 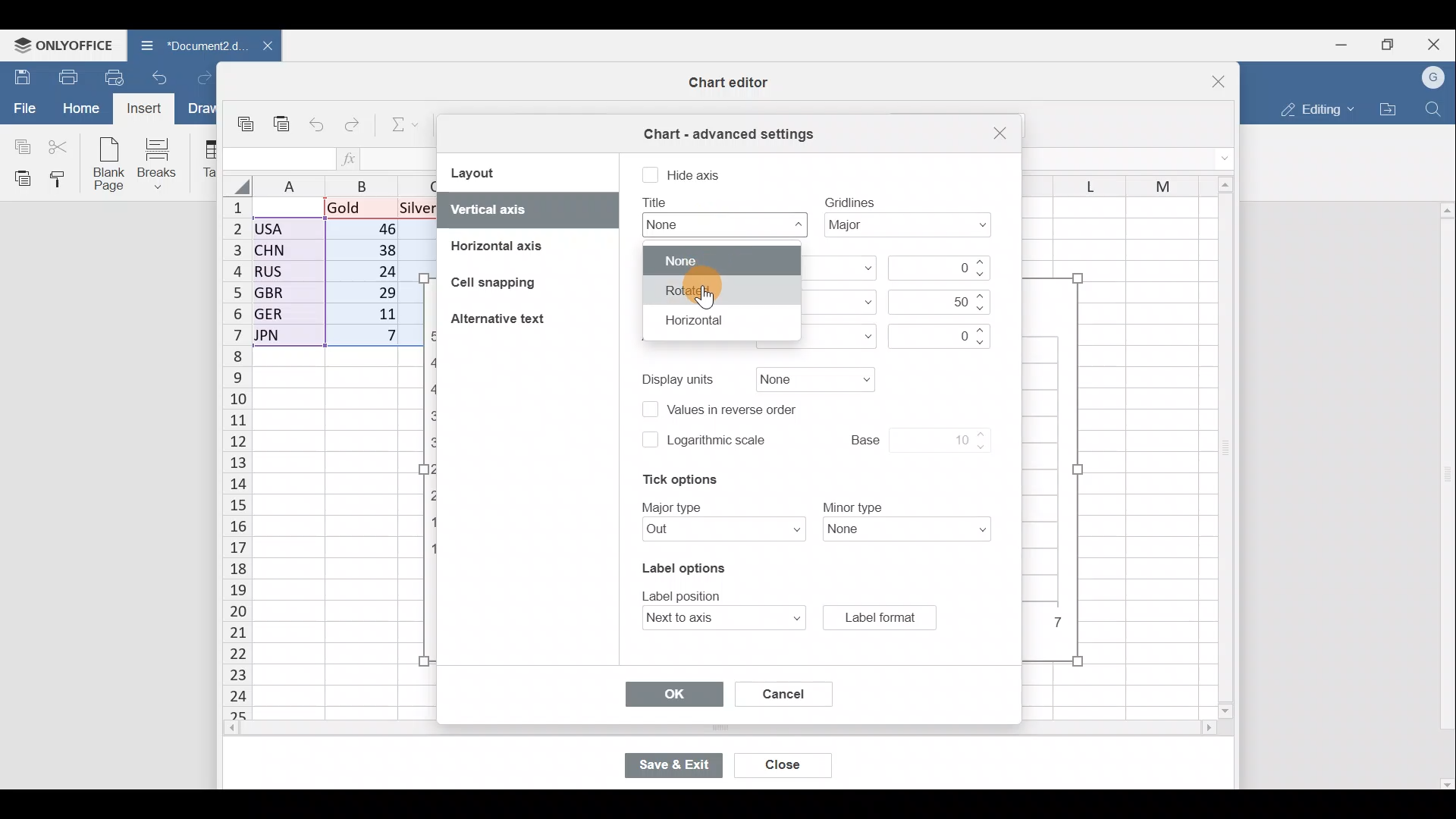 I want to click on text, so click(x=679, y=378).